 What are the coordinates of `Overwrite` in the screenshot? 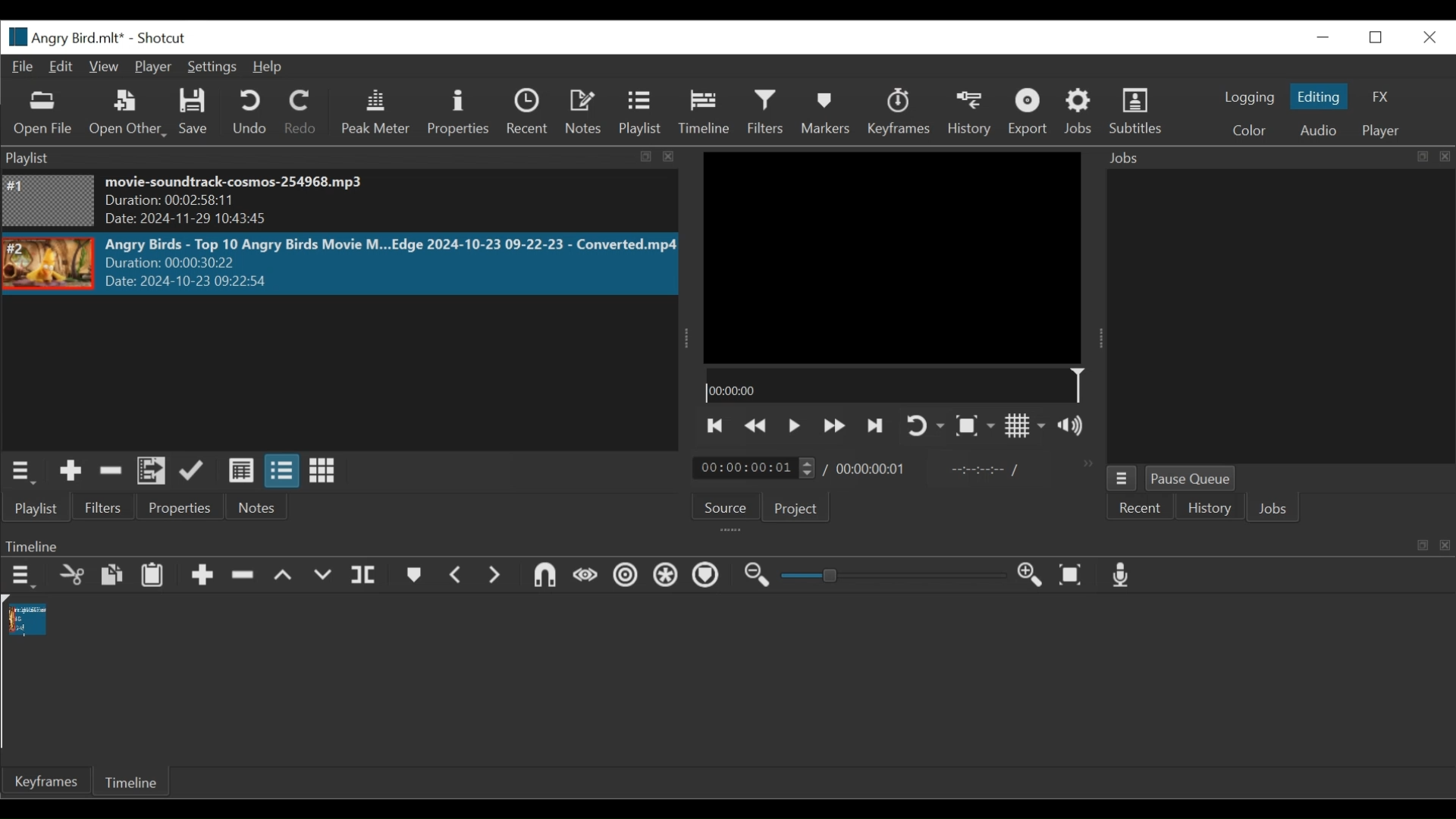 It's located at (324, 576).